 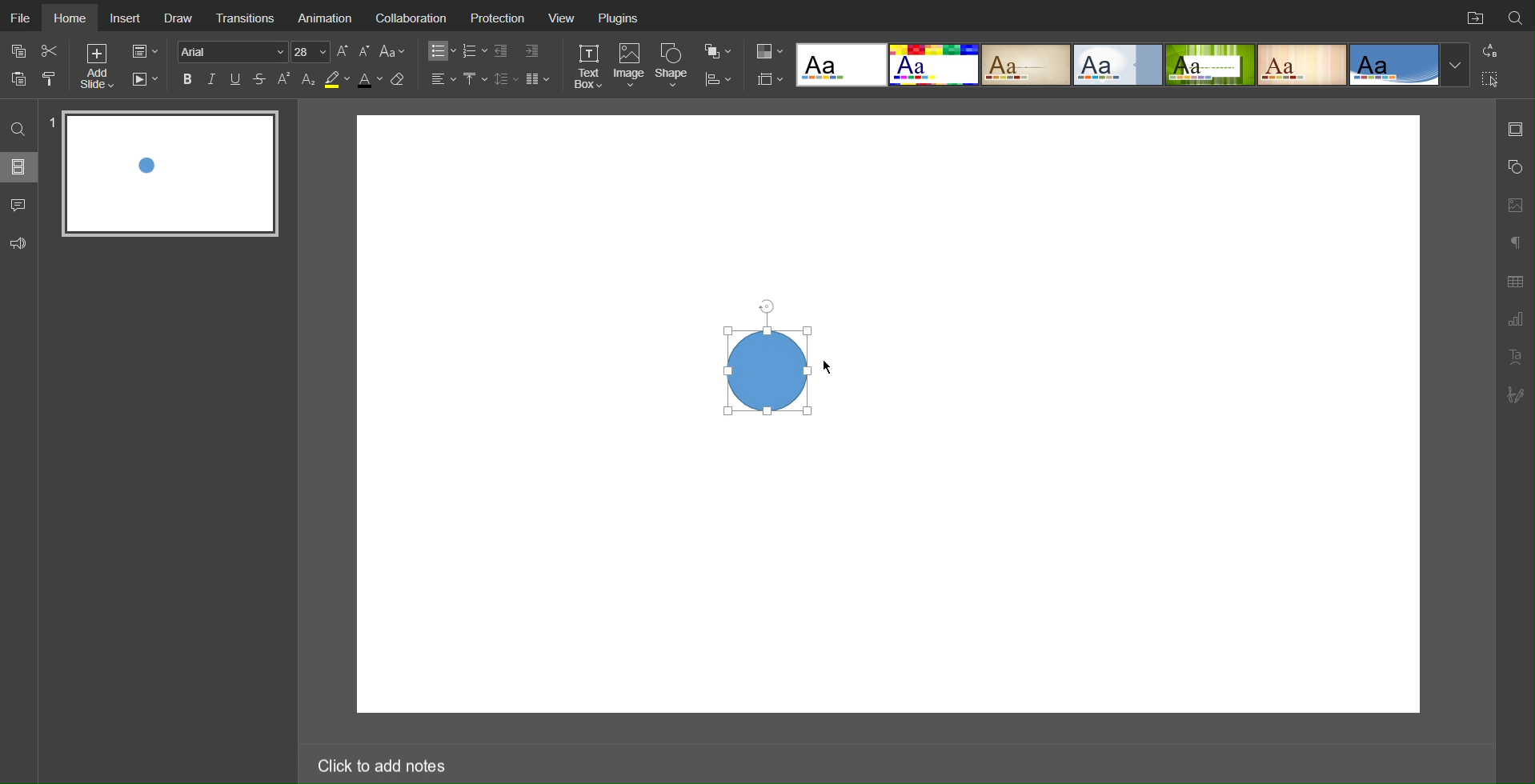 What do you see at coordinates (411, 18) in the screenshot?
I see `Collaboration` at bounding box center [411, 18].